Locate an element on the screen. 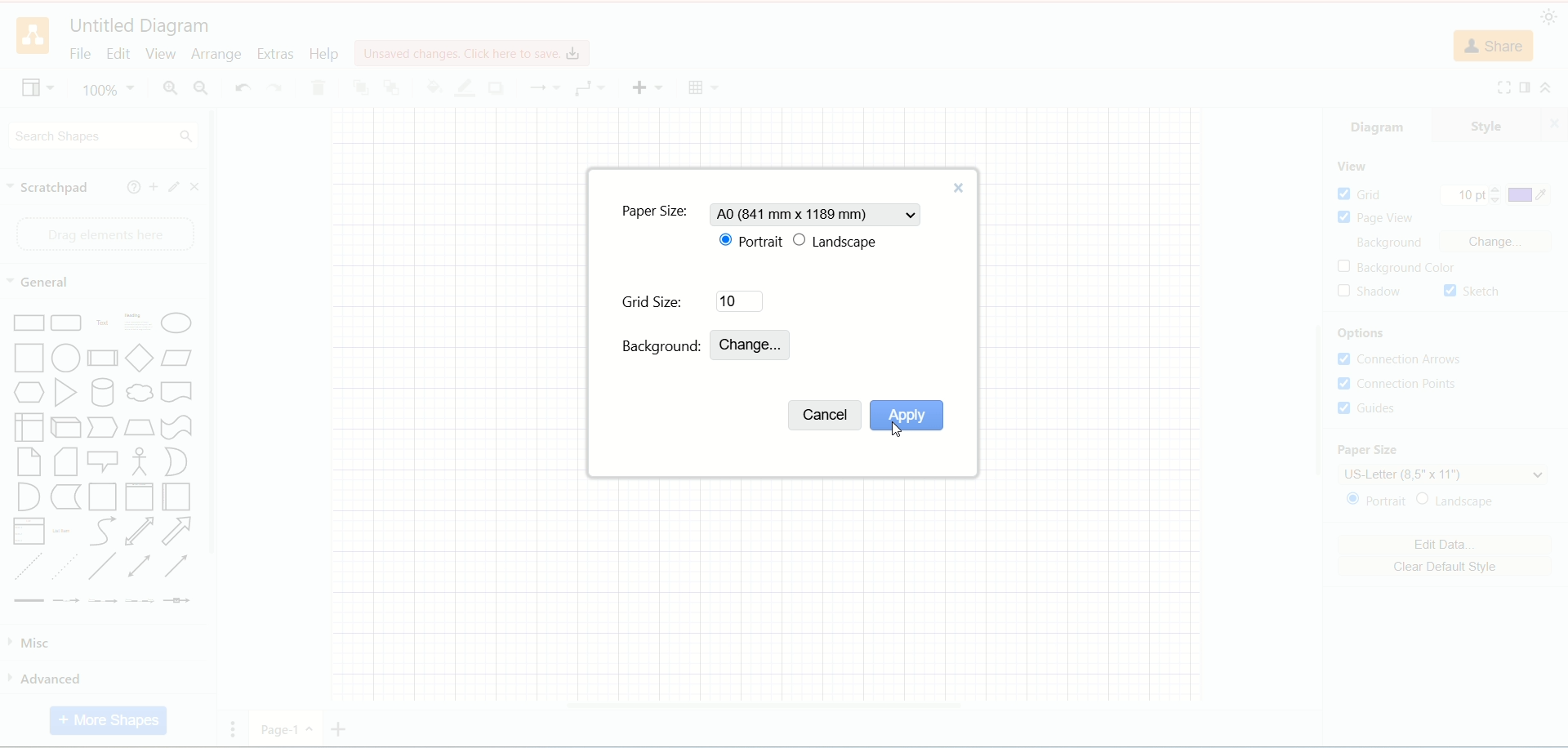  vertical scroll bar is located at coordinates (1317, 407).